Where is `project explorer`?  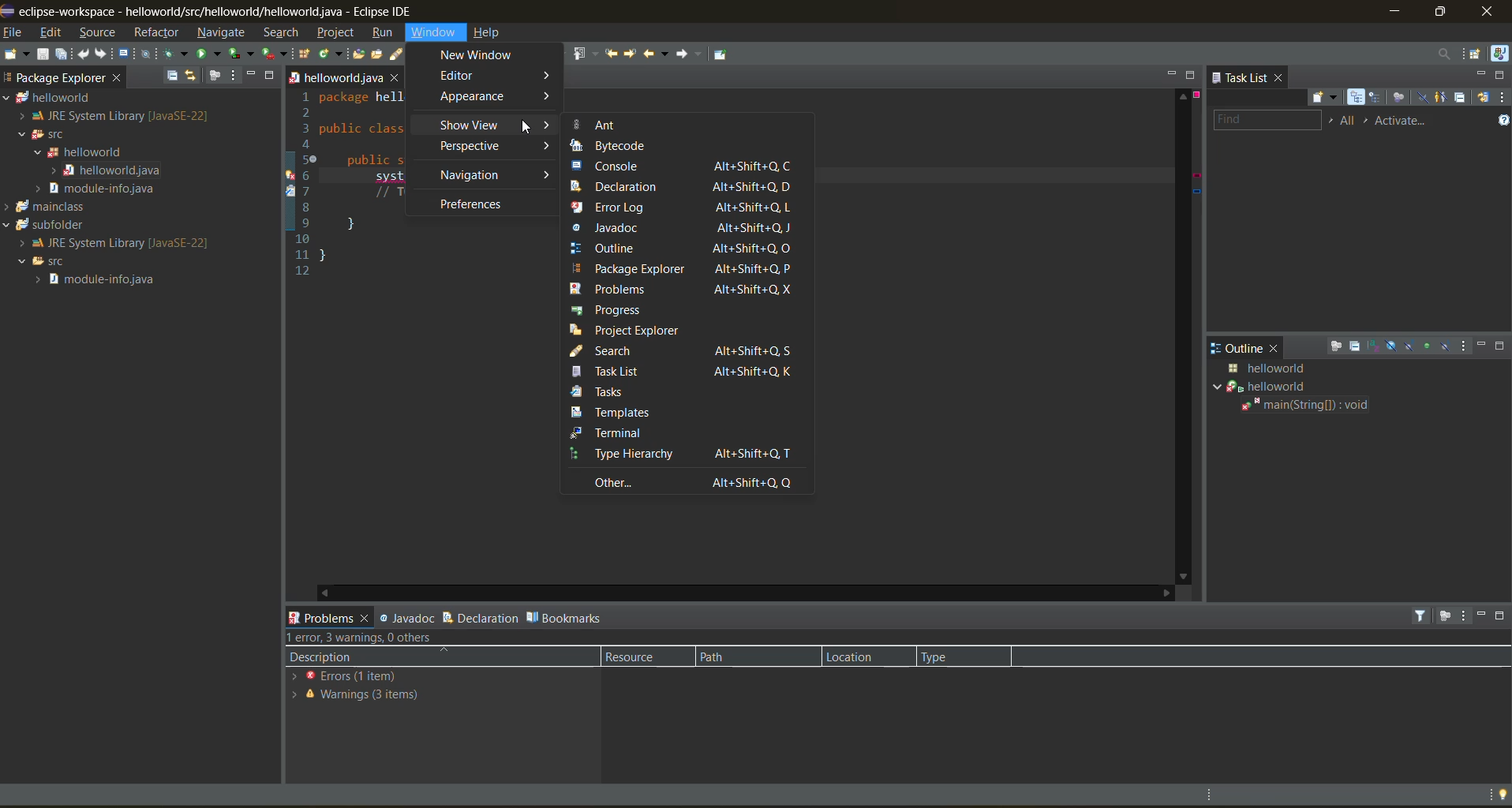
project explorer is located at coordinates (648, 331).